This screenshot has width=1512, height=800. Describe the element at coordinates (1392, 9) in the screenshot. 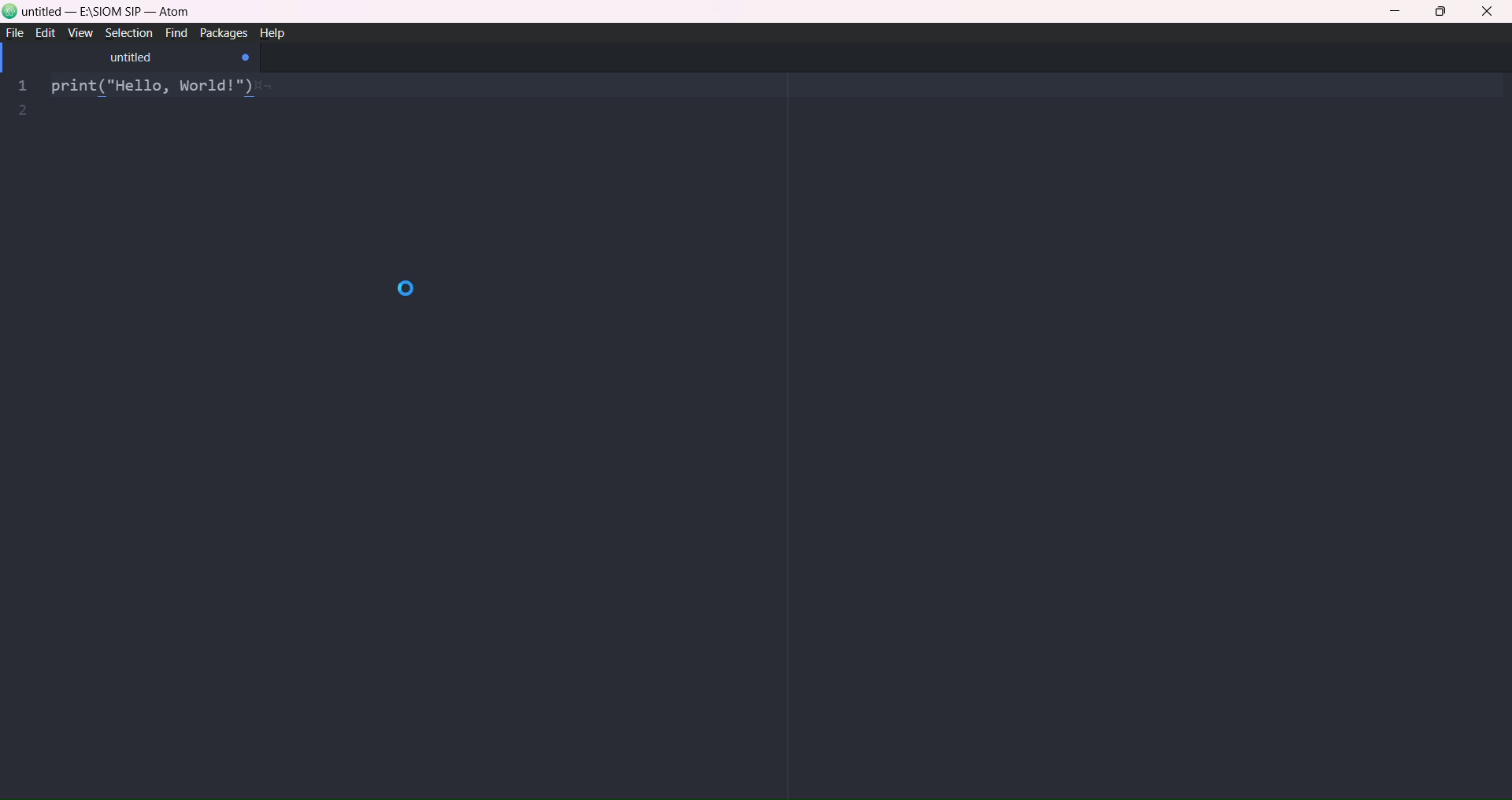

I see `minimize` at that location.